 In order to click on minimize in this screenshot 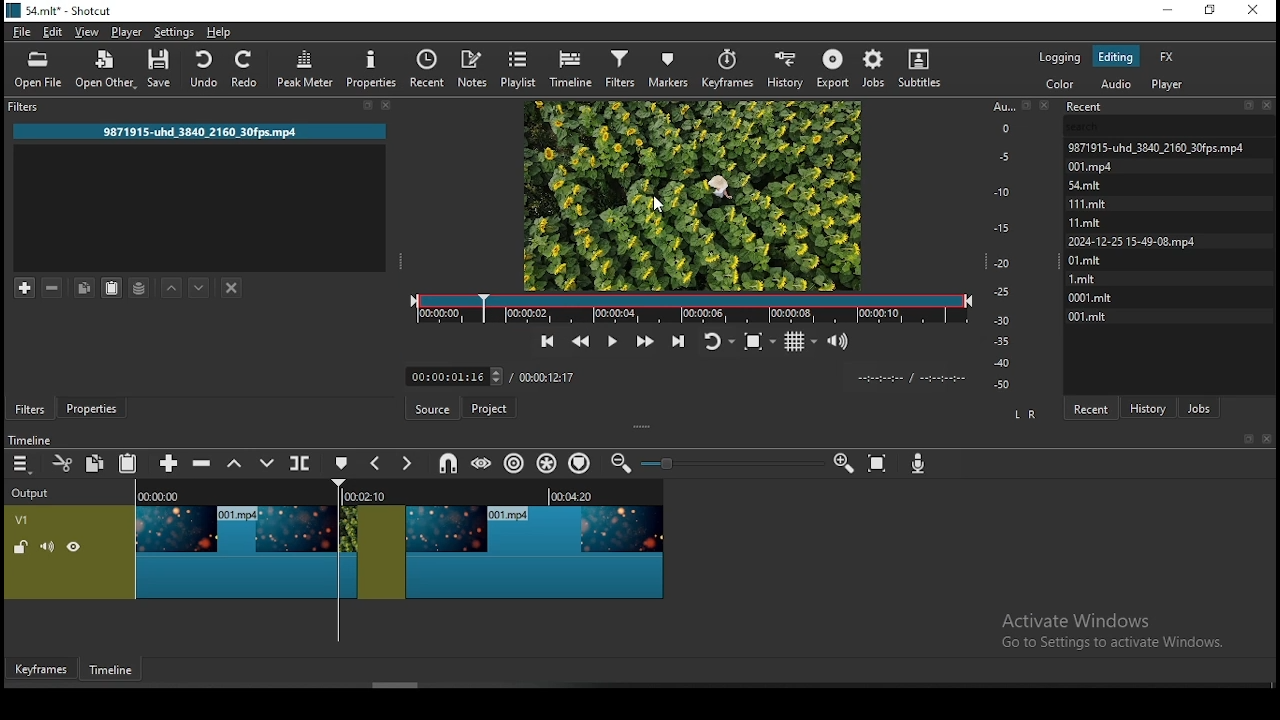, I will do `click(1168, 11)`.